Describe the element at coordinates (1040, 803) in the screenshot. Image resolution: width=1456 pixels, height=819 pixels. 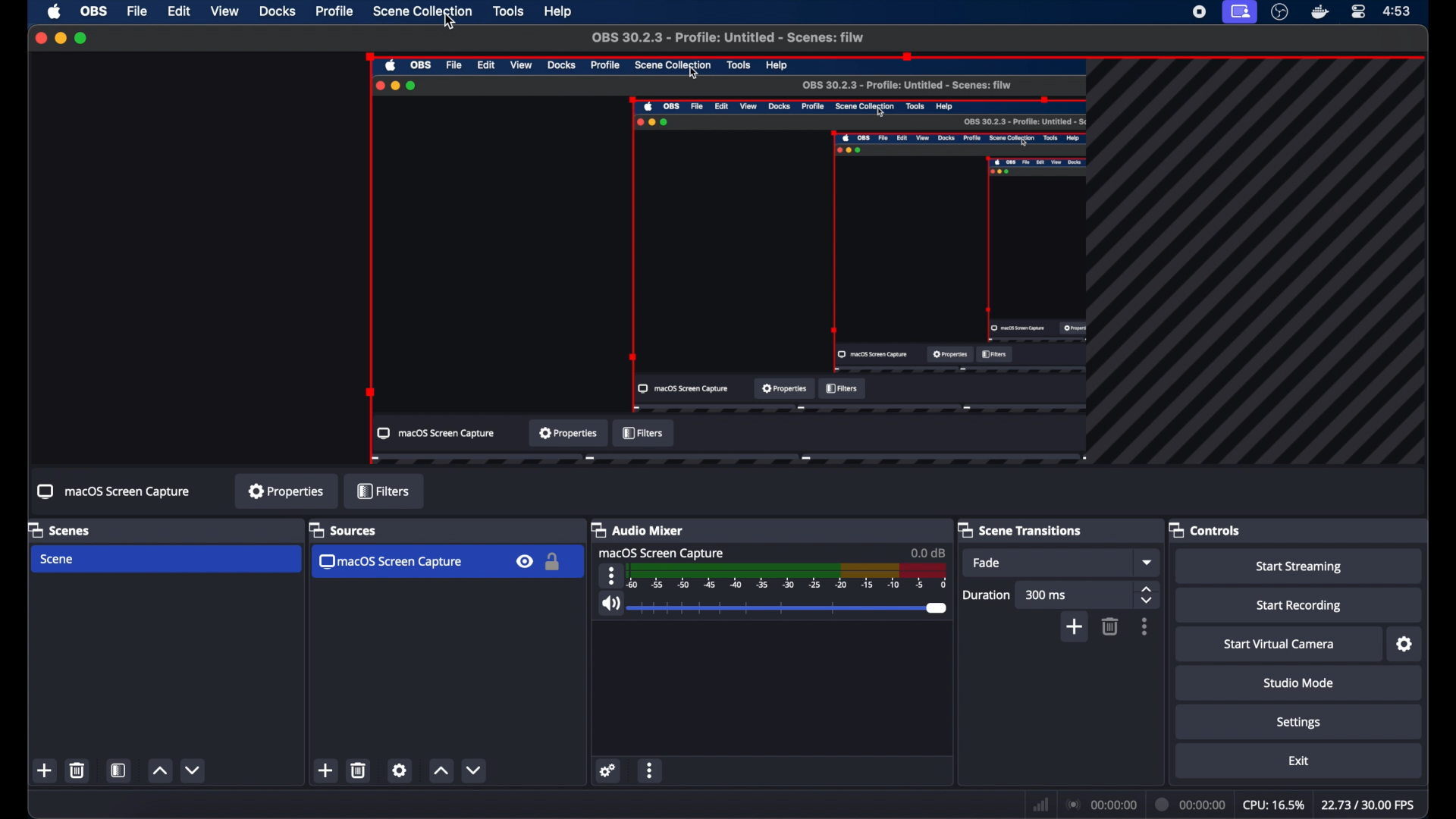
I see `network` at that location.